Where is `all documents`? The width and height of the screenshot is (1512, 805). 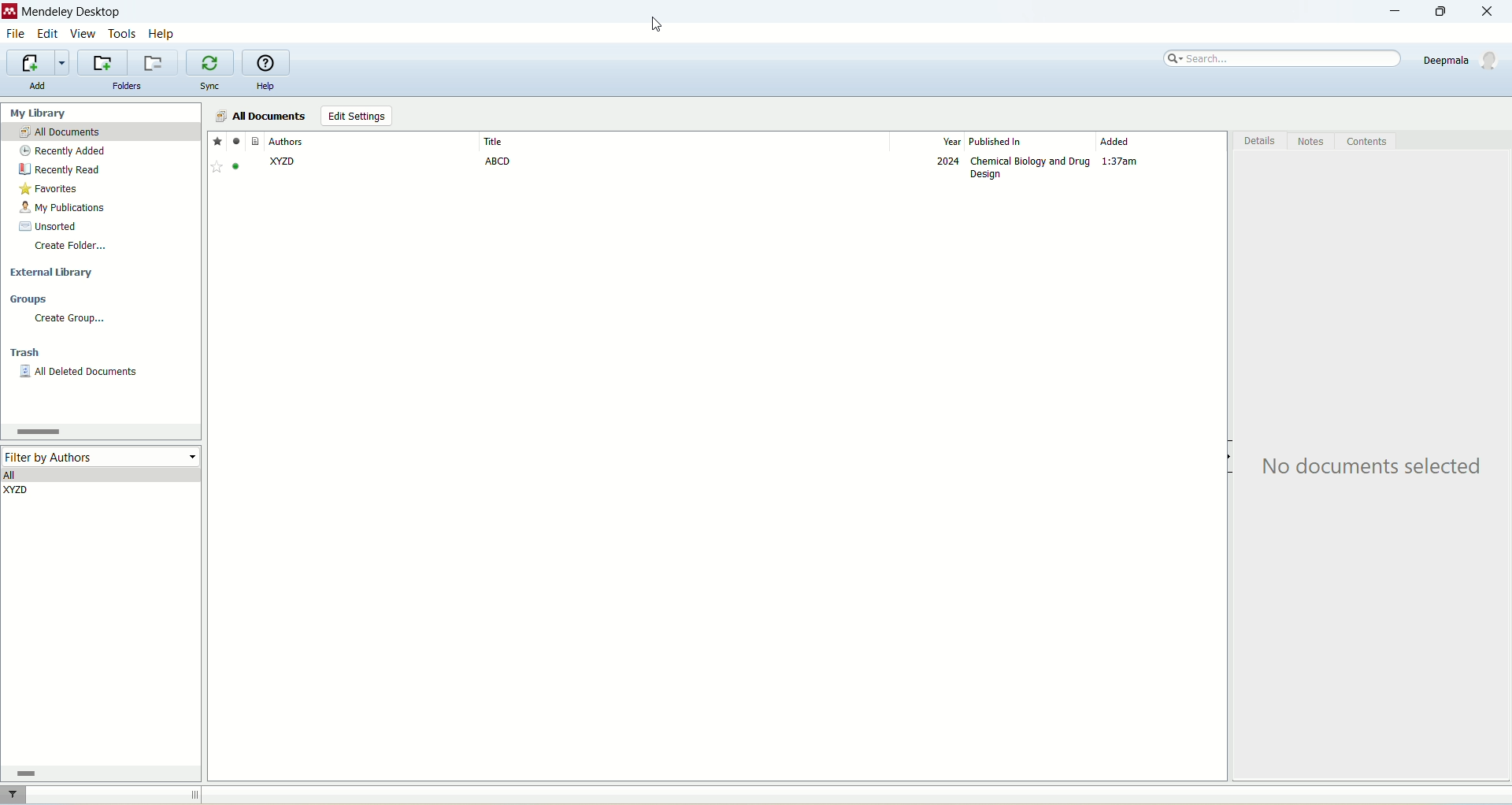
all documents is located at coordinates (260, 117).